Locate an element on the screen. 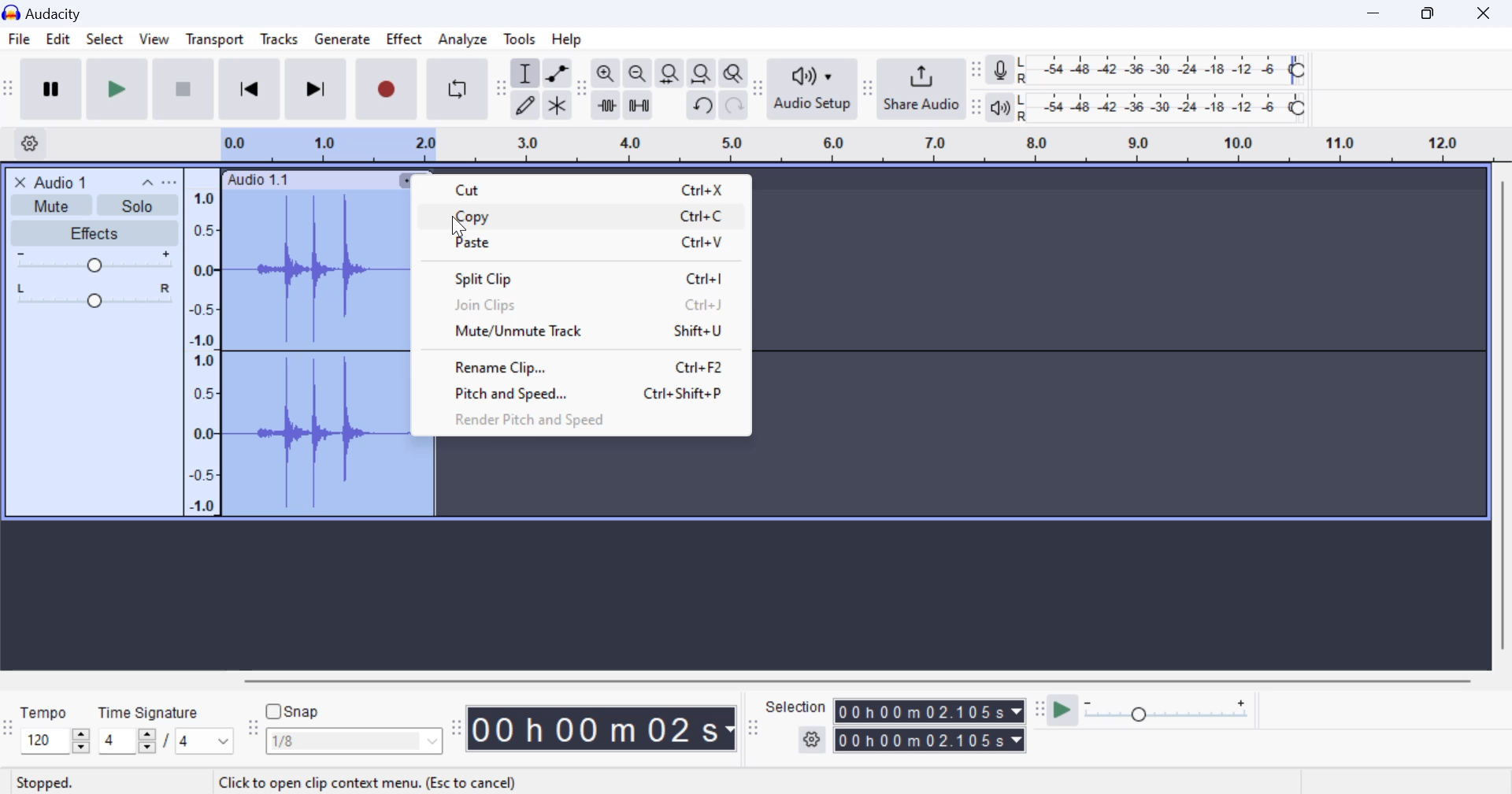  Record is located at coordinates (384, 90).